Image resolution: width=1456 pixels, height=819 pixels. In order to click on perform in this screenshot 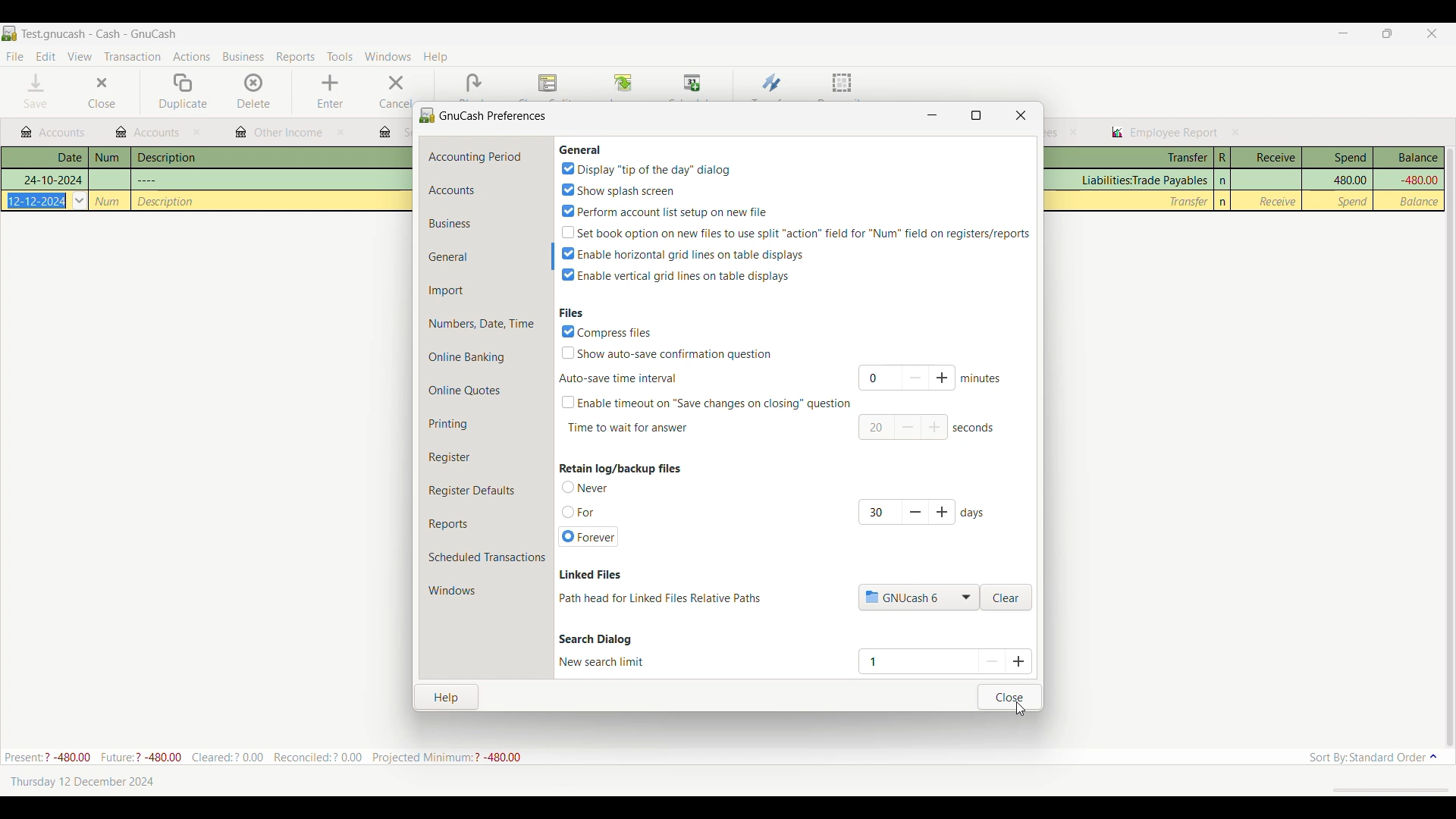, I will do `click(664, 209)`.